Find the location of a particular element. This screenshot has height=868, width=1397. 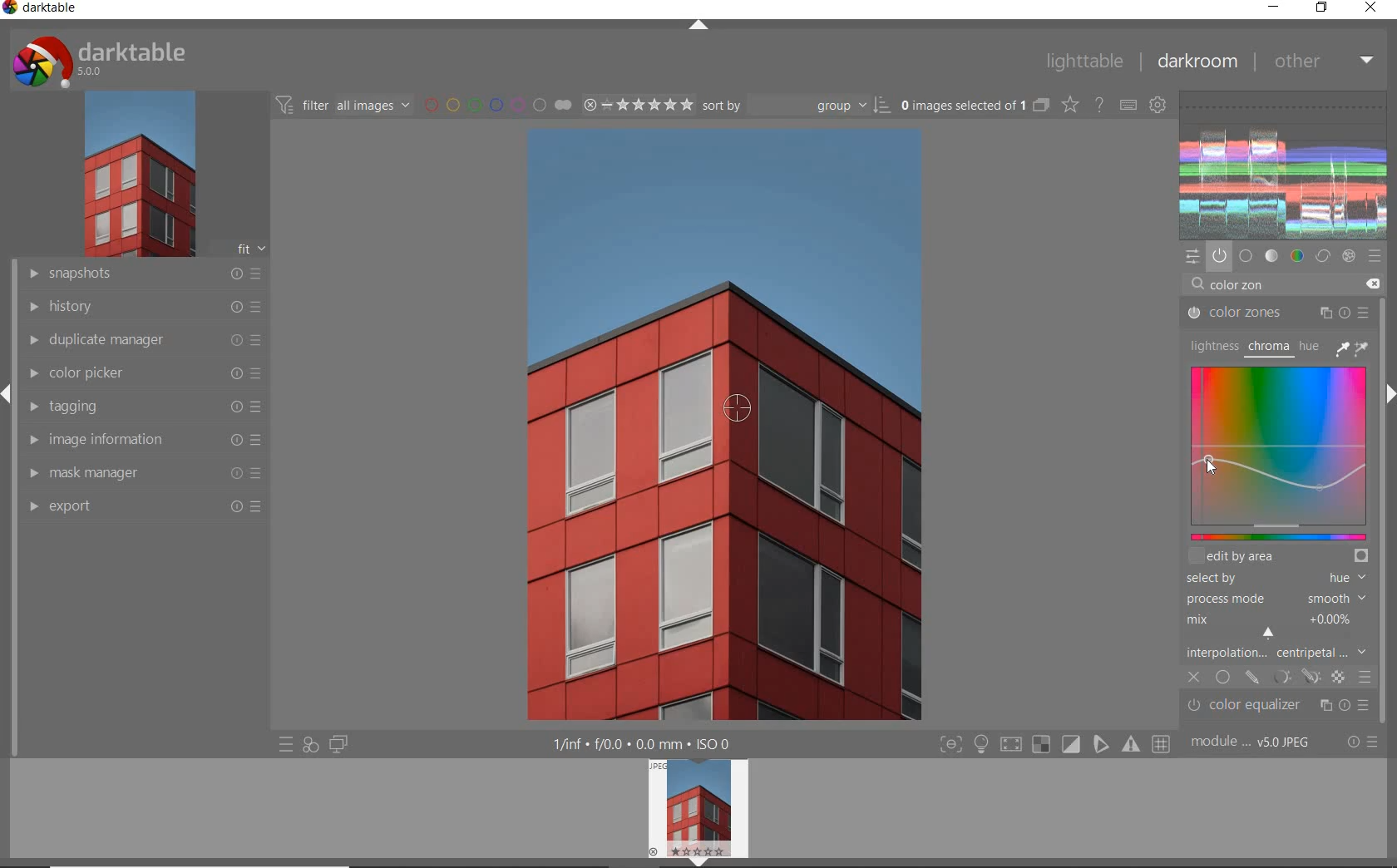

PICKER TOOLS is located at coordinates (1354, 348).